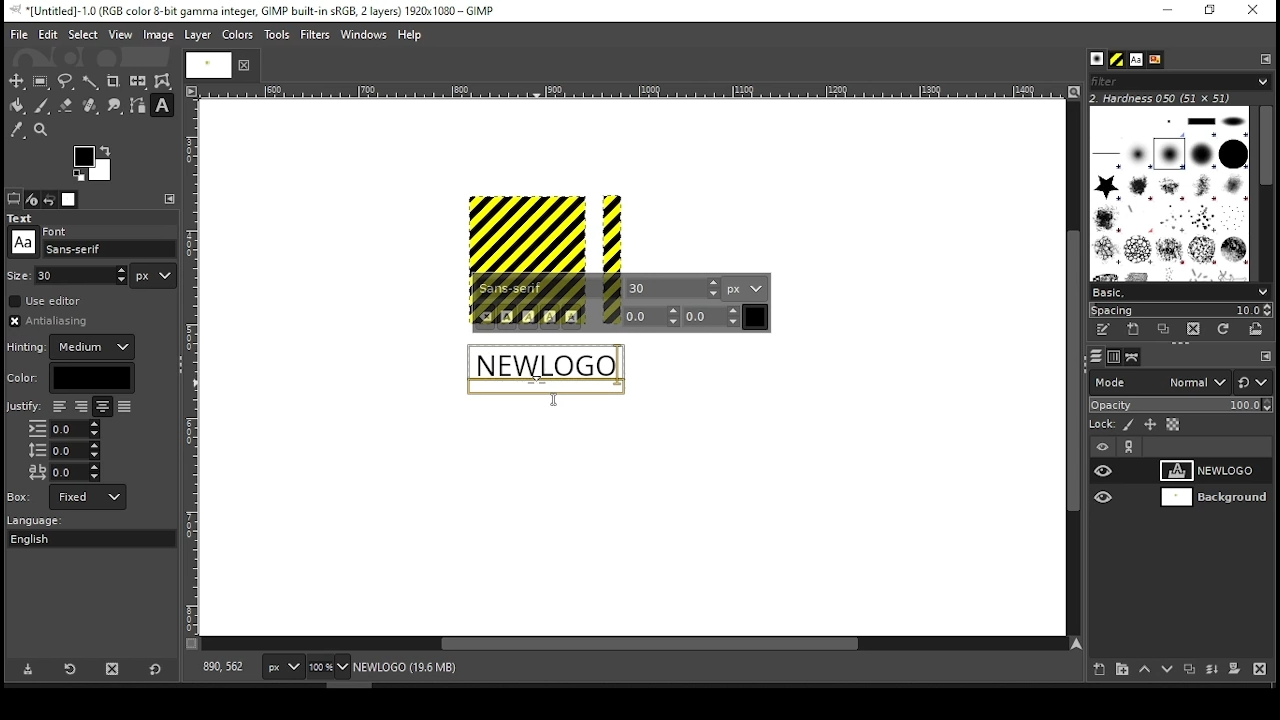 This screenshot has width=1280, height=720. Describe the element at coordinates (162, 82) in the screenshot. I see `warp transform tool` at that location.